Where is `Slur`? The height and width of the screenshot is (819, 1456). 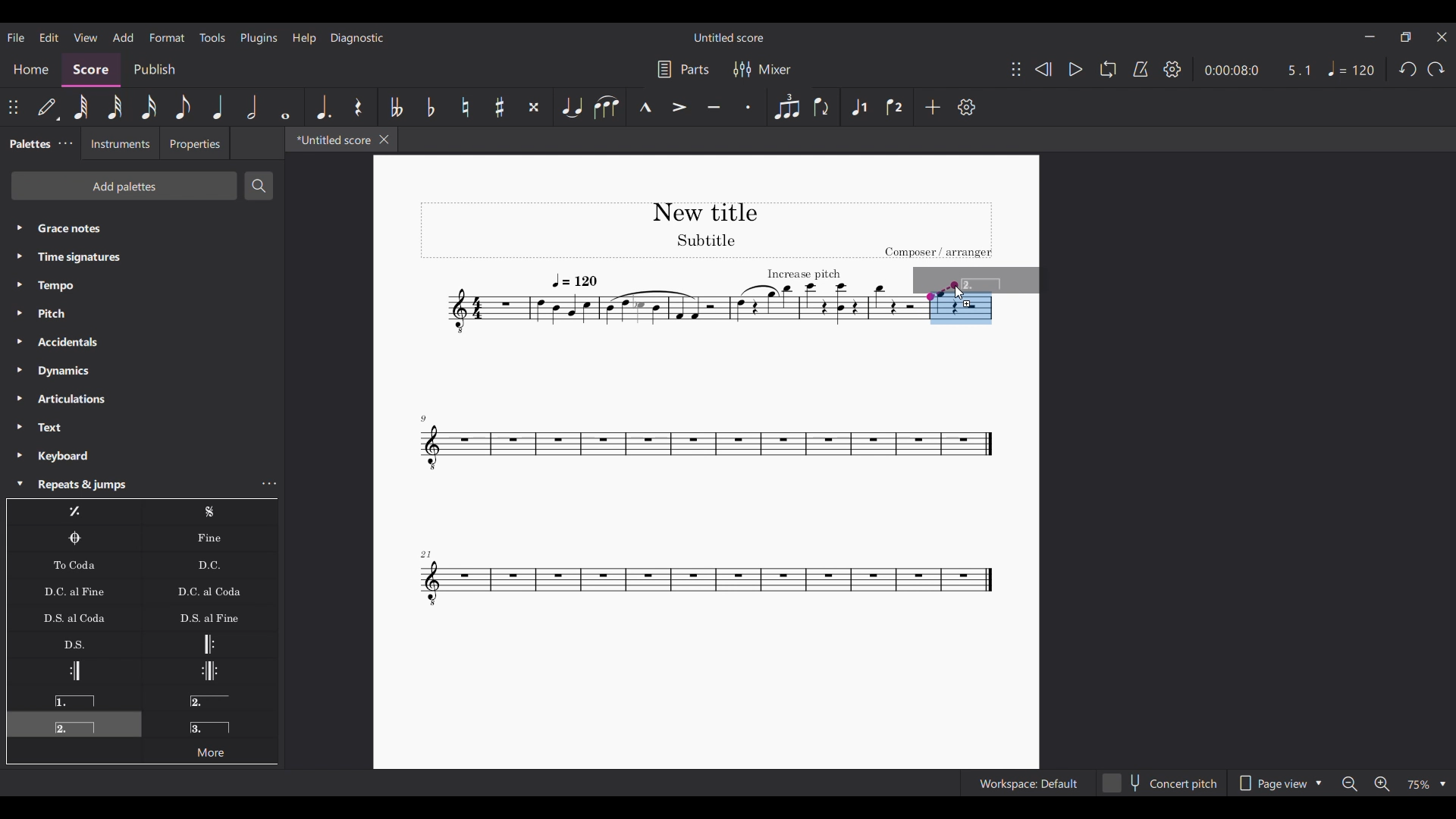
Slur is located at coordinates (607, 107).